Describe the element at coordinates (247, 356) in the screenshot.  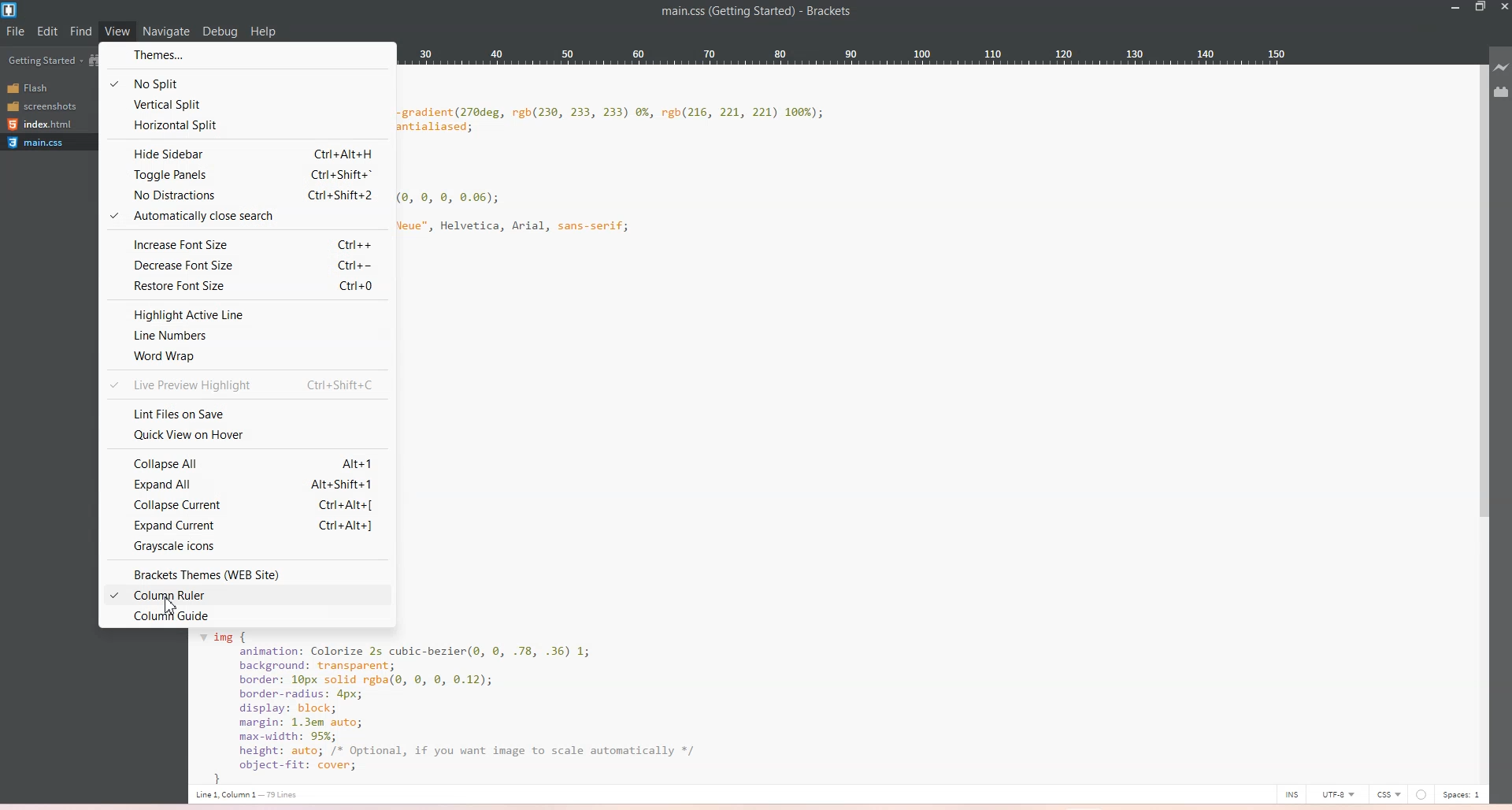
I see `World wrap` at that location.